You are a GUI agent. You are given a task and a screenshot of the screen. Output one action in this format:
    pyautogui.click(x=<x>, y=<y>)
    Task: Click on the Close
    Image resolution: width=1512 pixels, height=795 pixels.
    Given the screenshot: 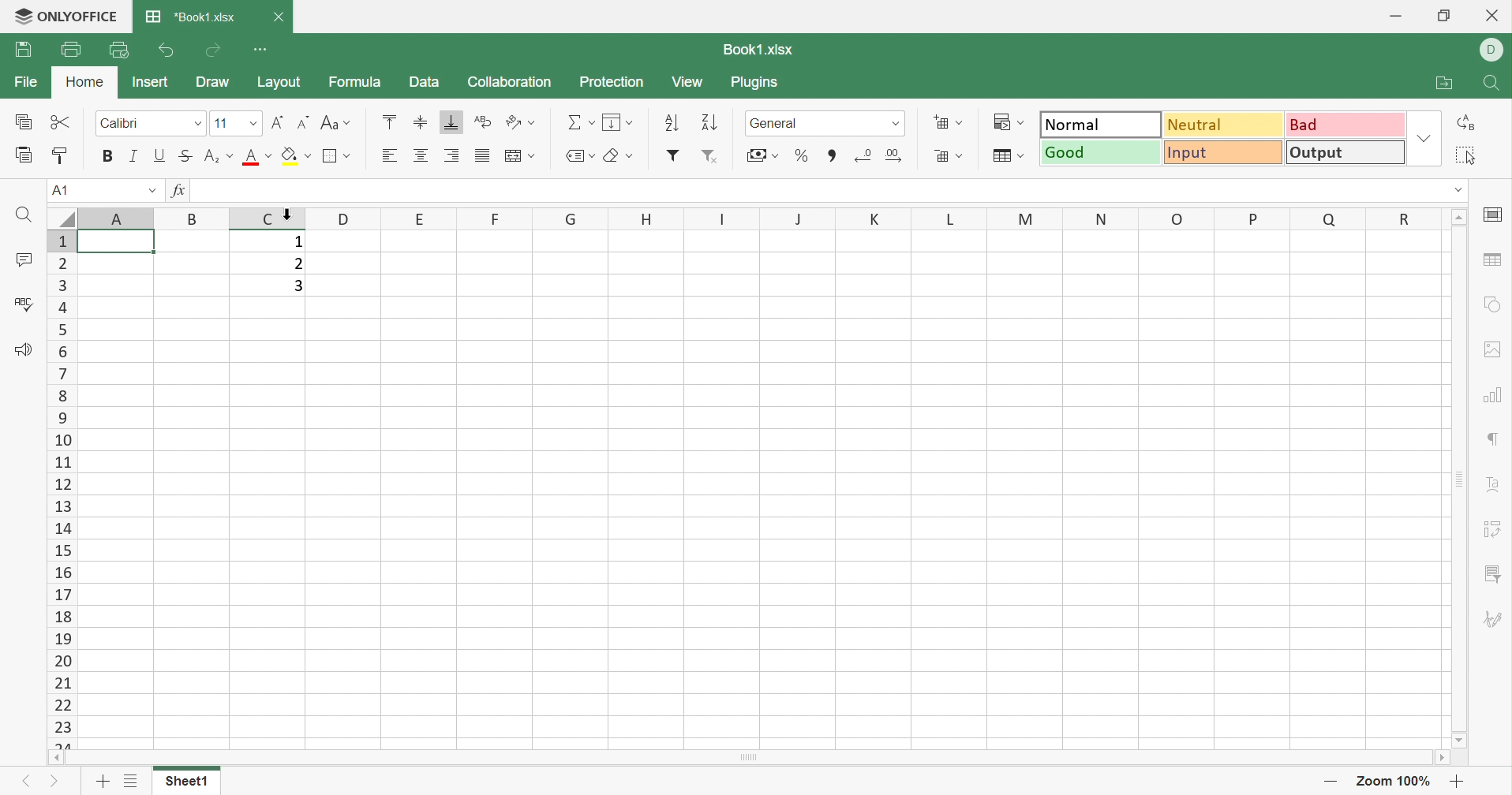 What is the action you would take?
    pyautogui.click(x=1491, y=15)
    